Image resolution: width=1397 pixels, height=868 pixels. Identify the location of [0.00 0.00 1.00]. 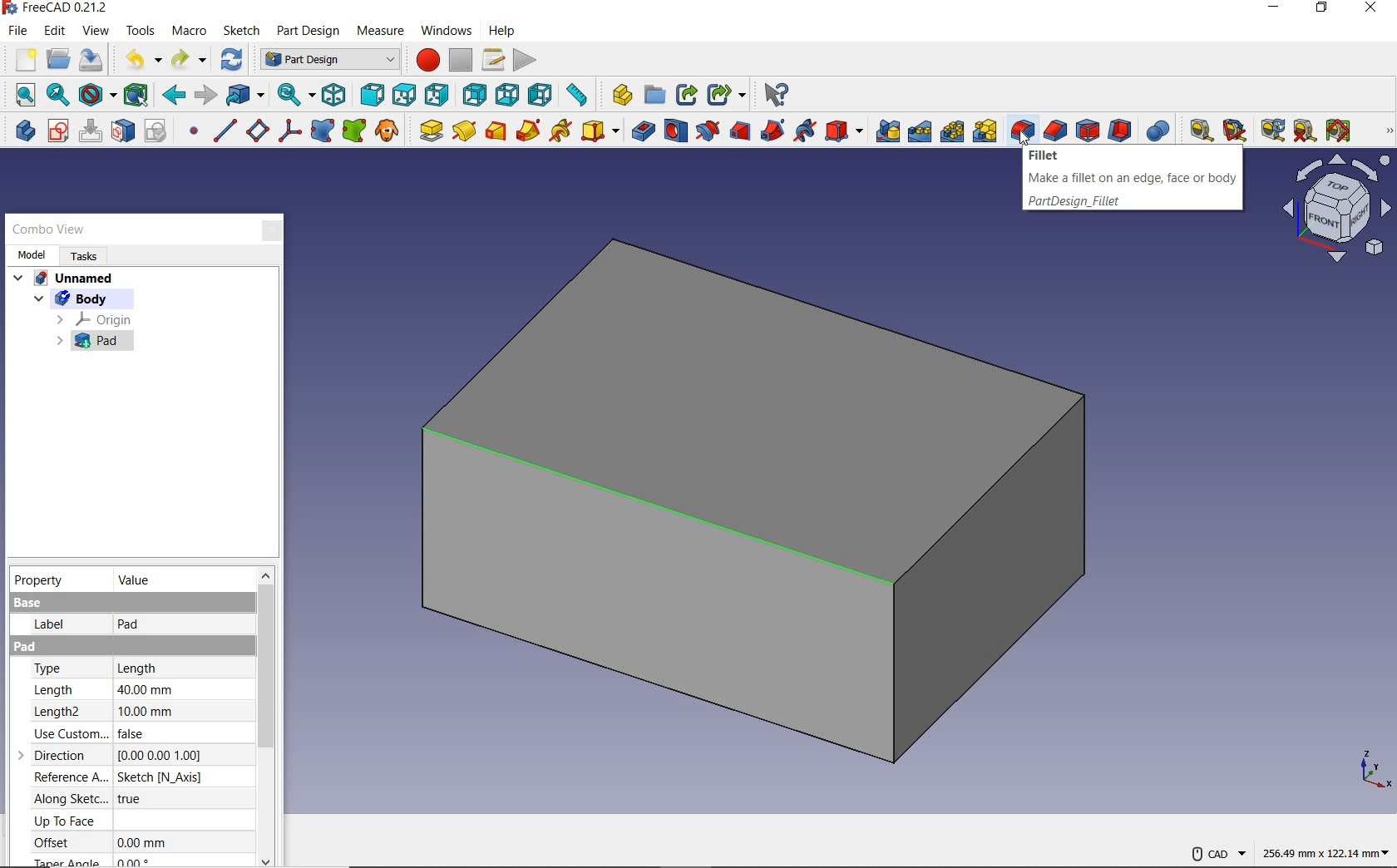
(160, 755).